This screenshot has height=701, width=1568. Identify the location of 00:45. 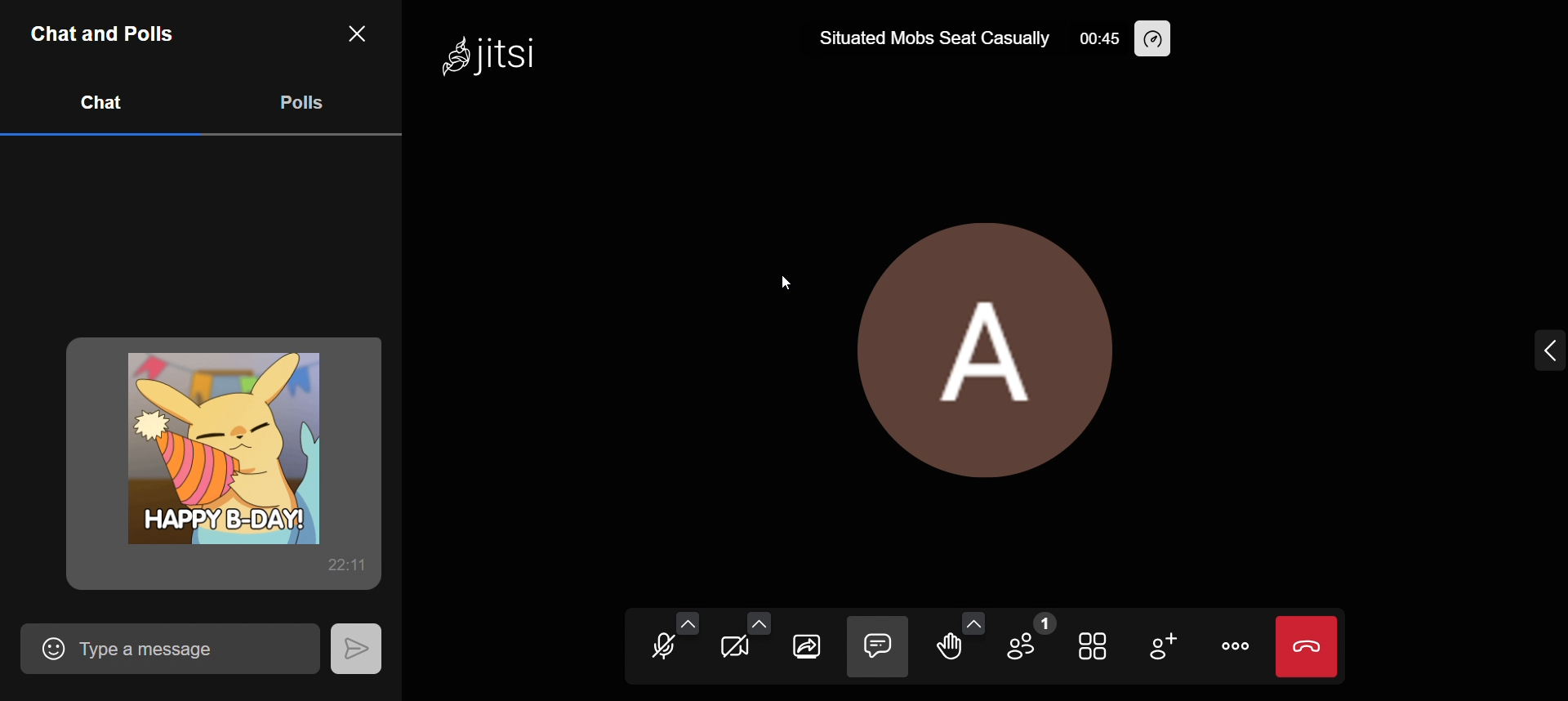
(1098, 38).